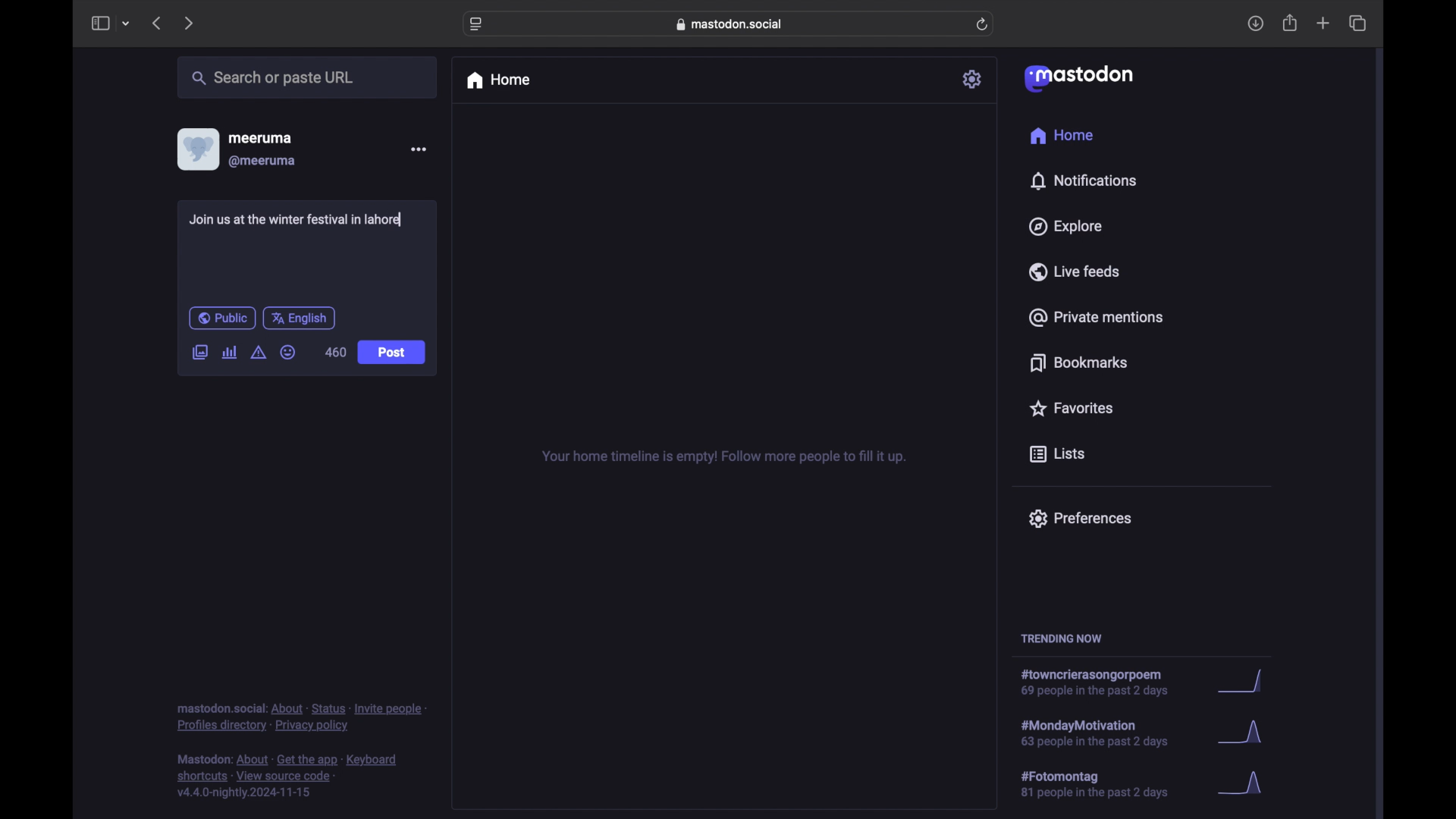  Describe the element at coordinates (723, 457) in the screenshot. I see `your home timeline is empty! follow more people to fill it up` at that location.